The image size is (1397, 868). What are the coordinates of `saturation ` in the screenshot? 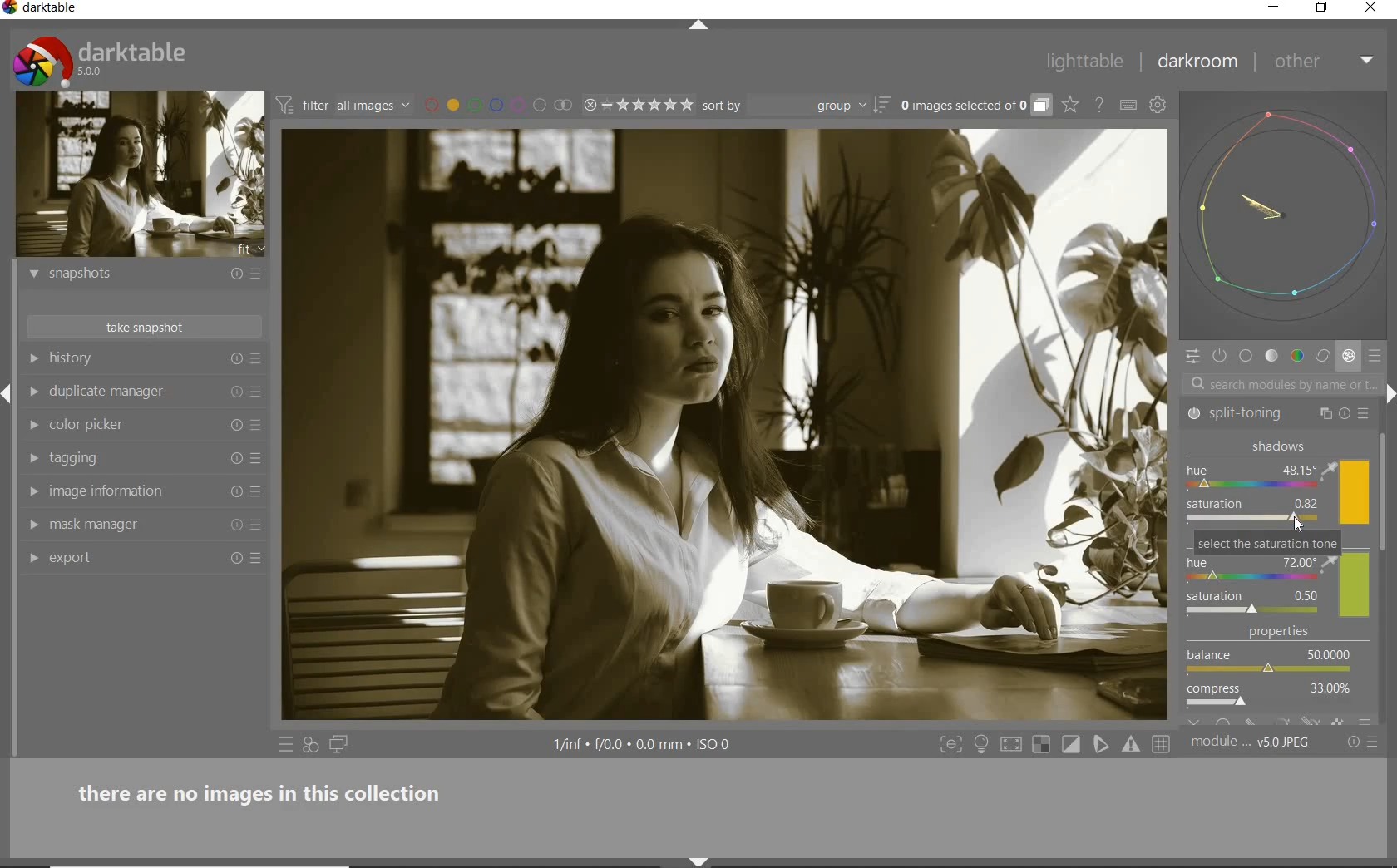 It's located at (1254, 513).